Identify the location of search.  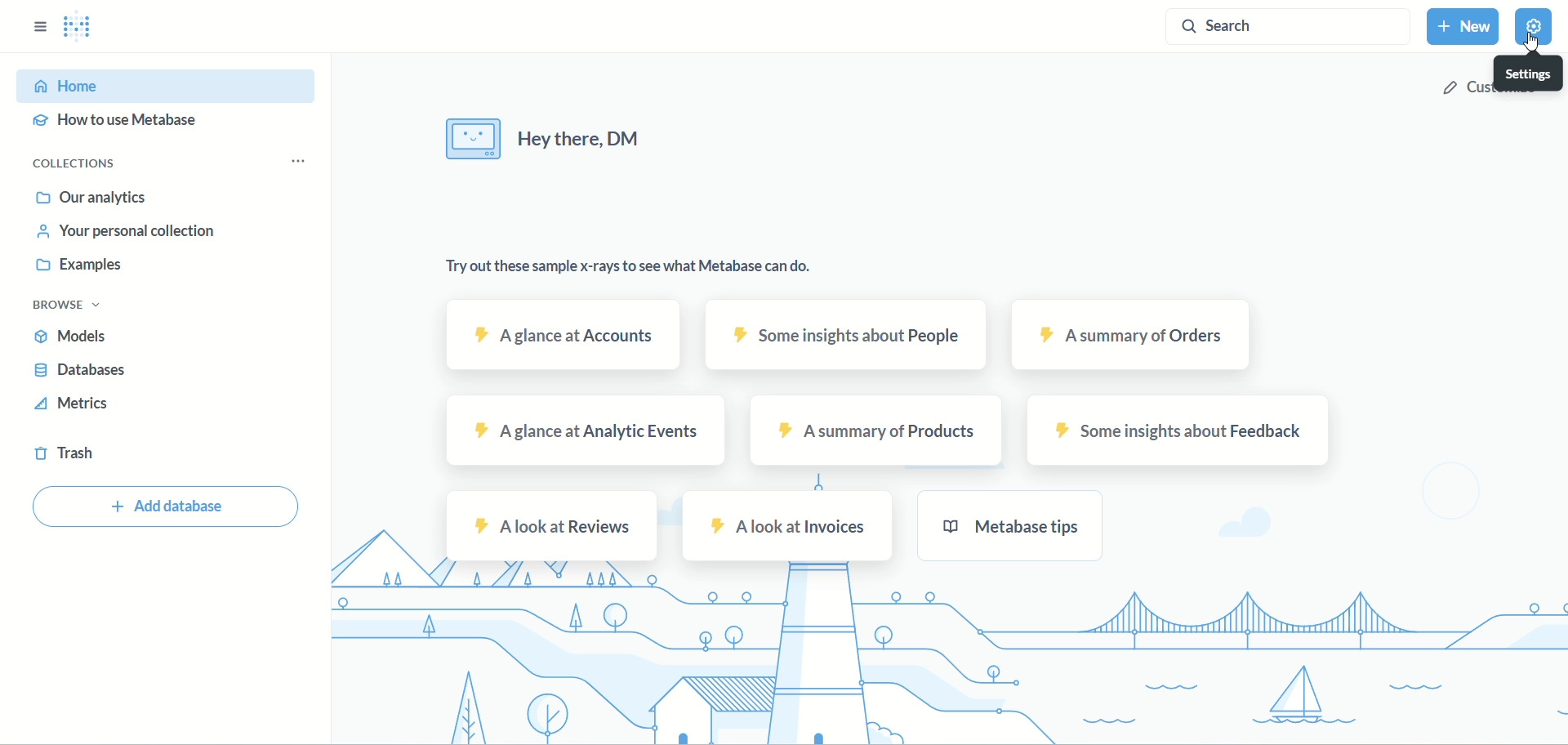
(1286, 27).